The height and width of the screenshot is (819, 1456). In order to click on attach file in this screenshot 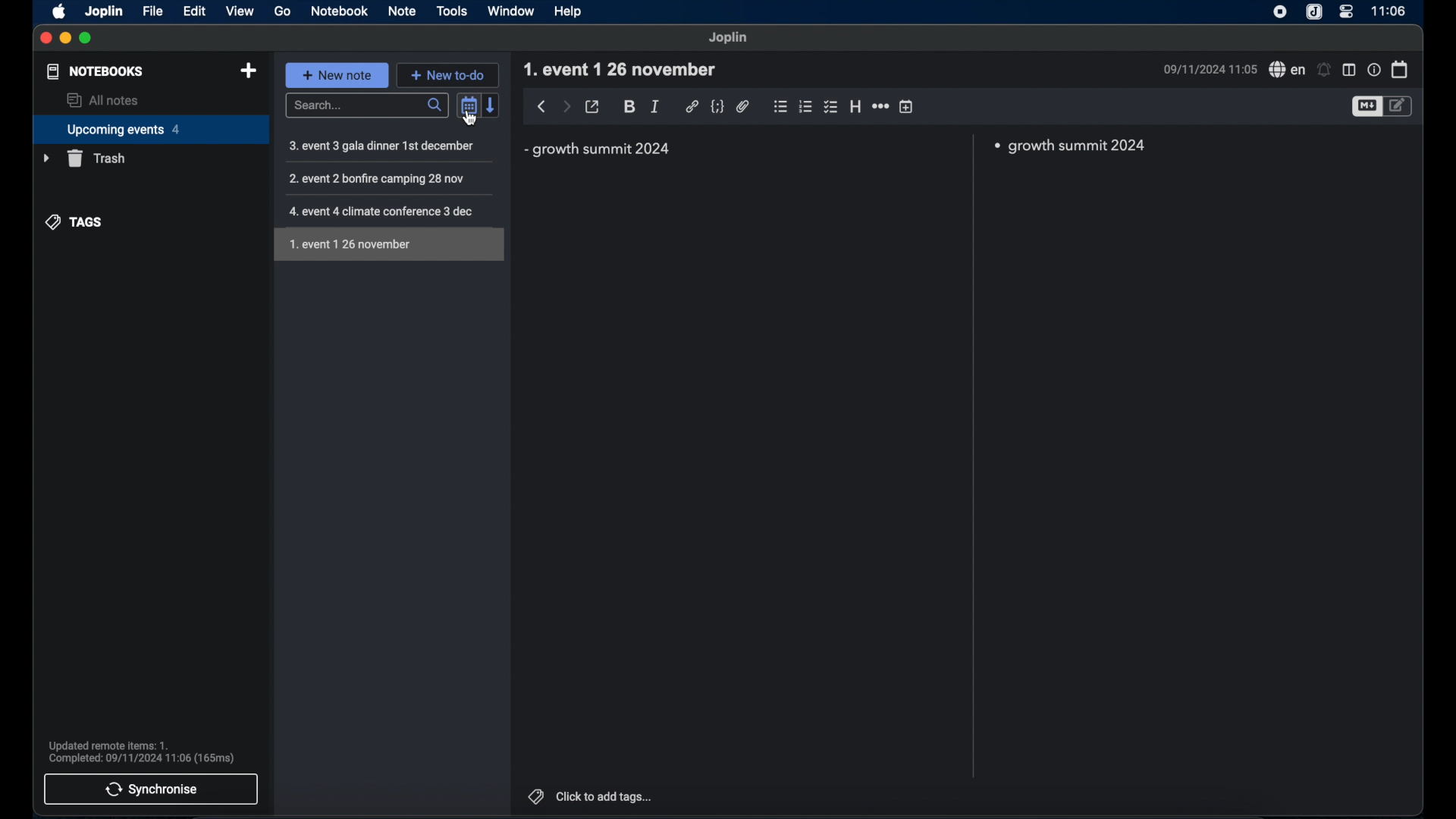, I will do `click(743, 108)`.